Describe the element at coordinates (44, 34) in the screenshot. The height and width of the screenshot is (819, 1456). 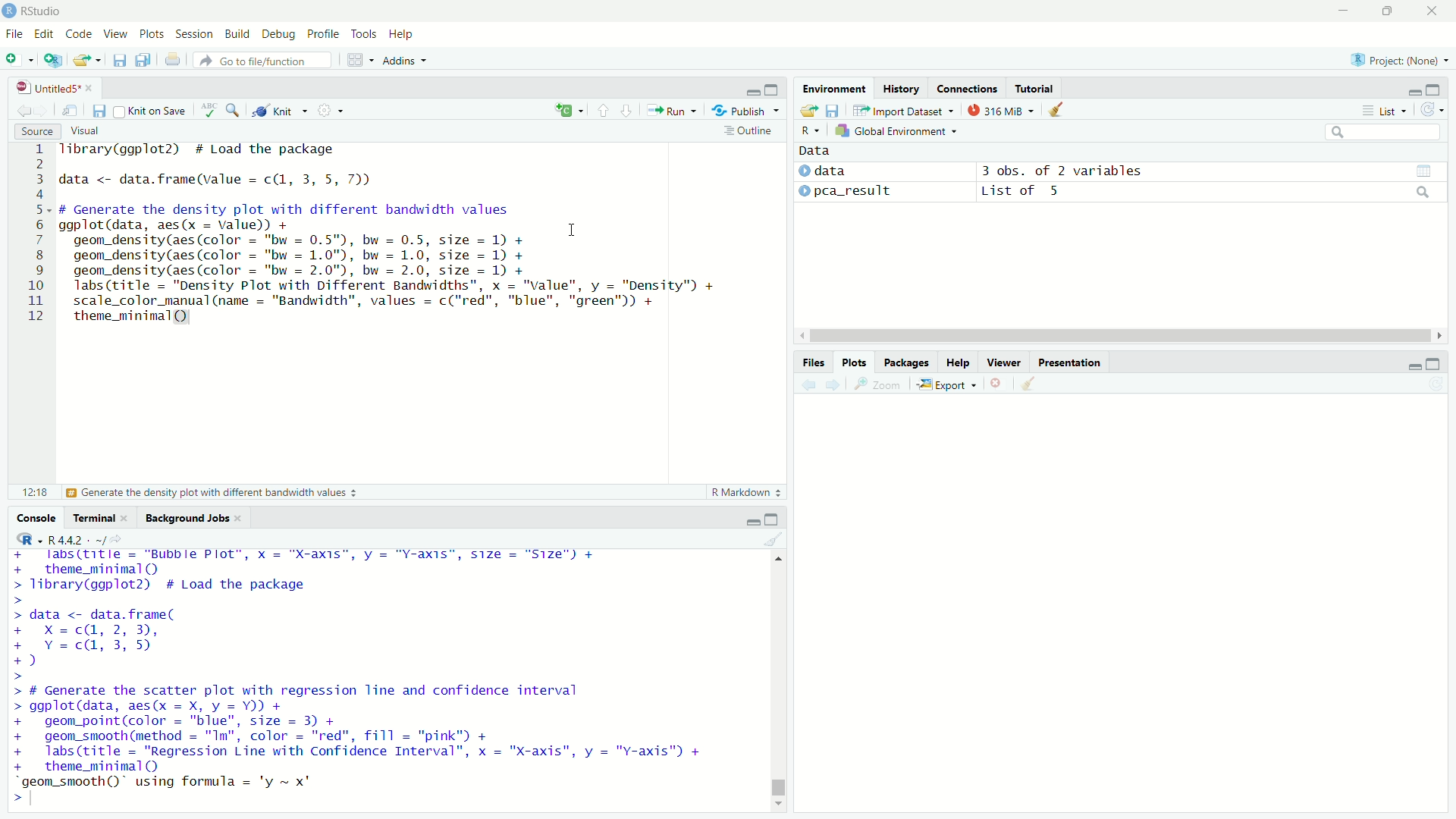
I see `Edit` at that location.